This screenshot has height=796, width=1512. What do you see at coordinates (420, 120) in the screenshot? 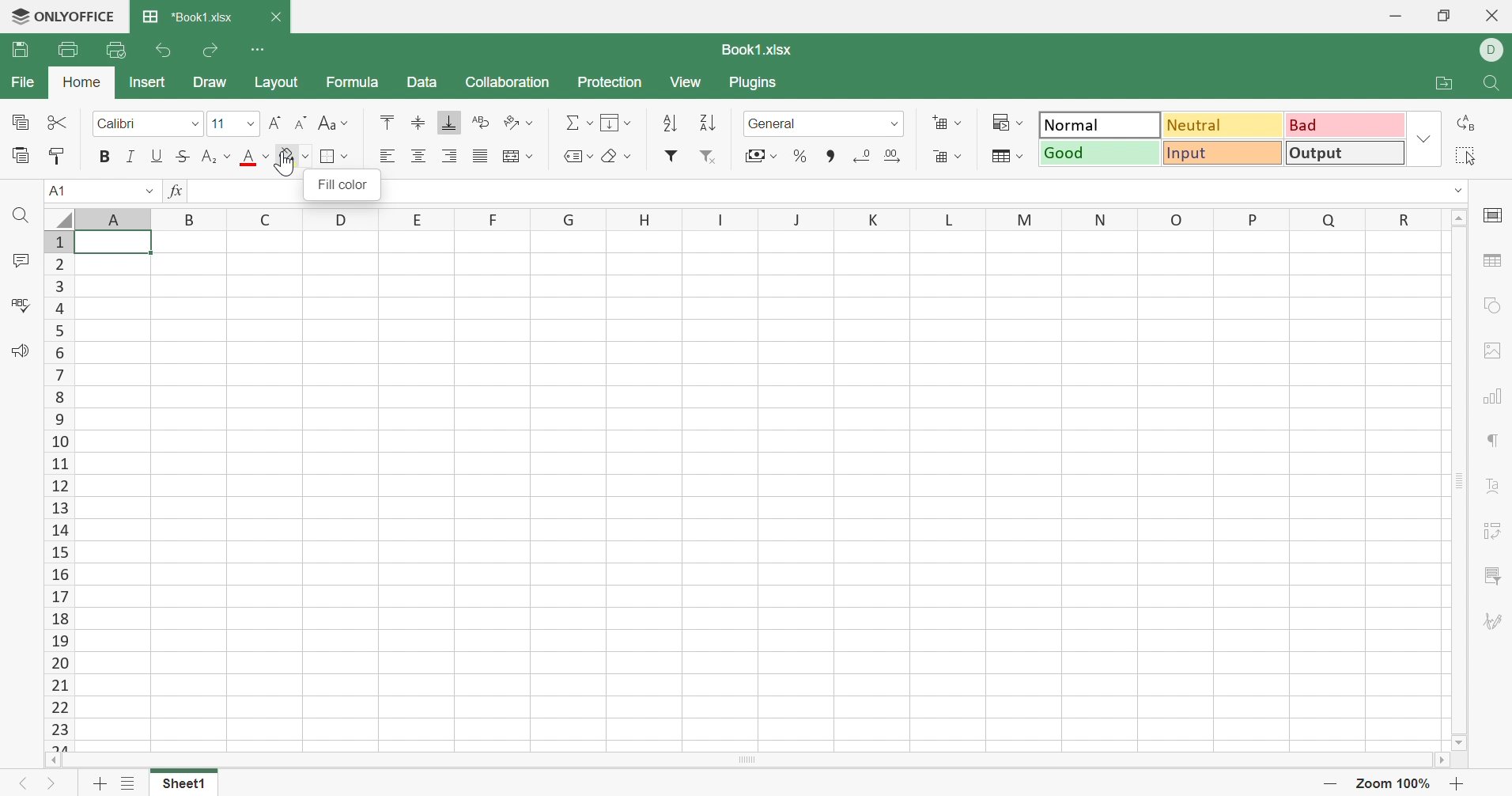
I see `Align Middle` at bounding box center [420, 120].